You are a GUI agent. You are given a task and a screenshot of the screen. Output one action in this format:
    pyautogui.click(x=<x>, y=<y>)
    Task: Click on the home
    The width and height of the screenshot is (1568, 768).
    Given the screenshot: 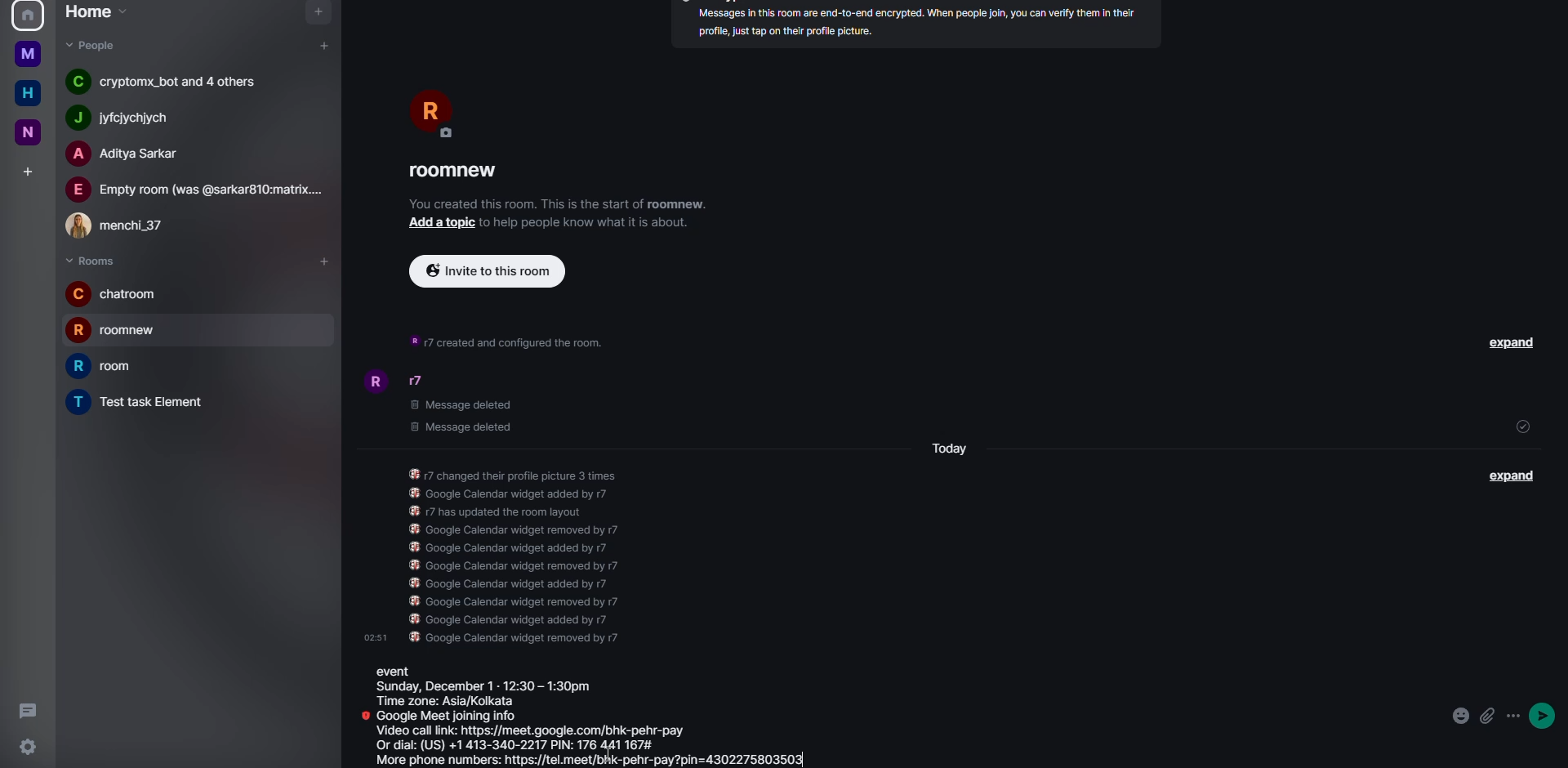 What is the action you would take?
    pyautogui.click(x=95, y=13)
    